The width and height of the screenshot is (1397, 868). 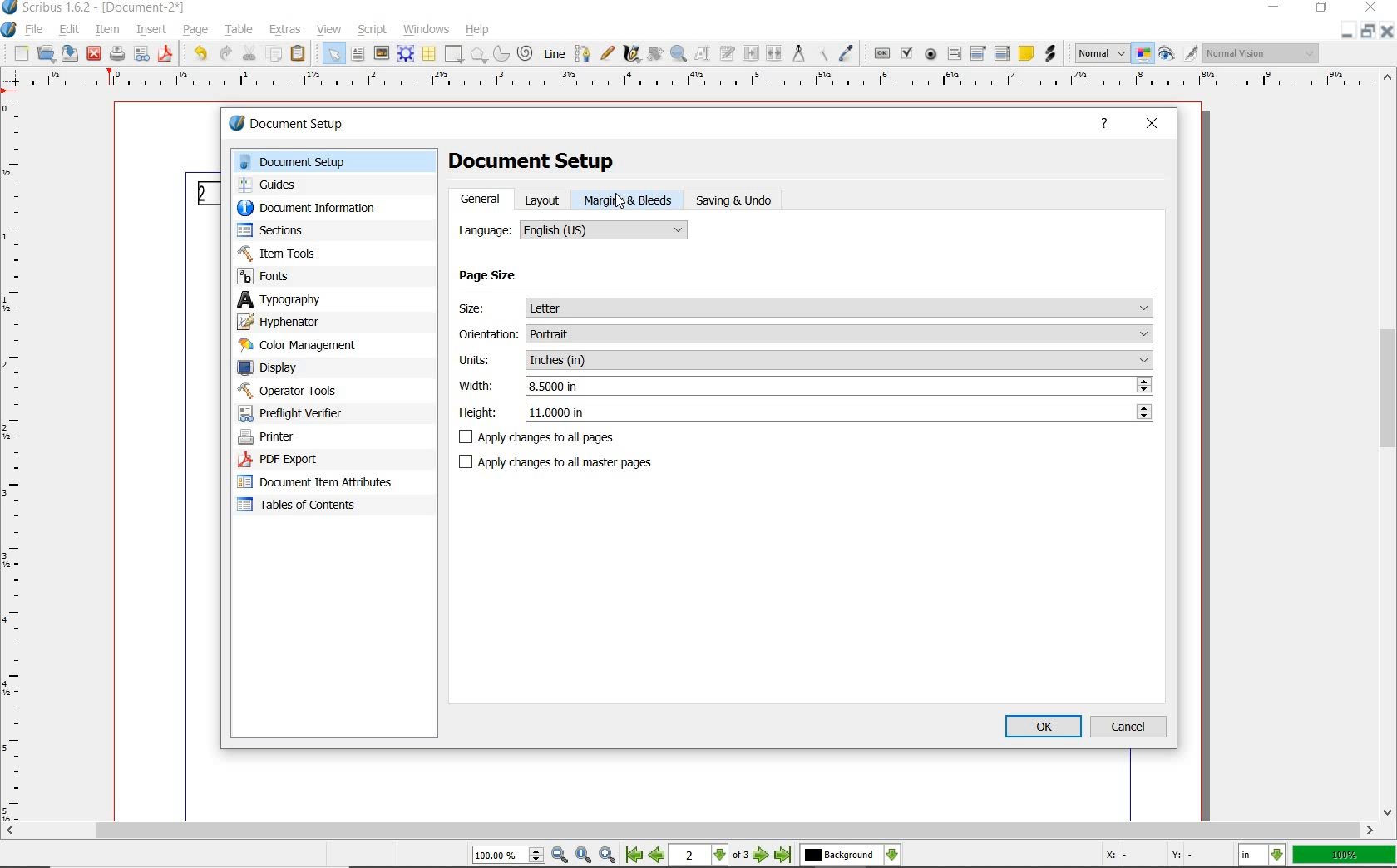 I want to click on units: Inches (in), so click(x=804, y=362).